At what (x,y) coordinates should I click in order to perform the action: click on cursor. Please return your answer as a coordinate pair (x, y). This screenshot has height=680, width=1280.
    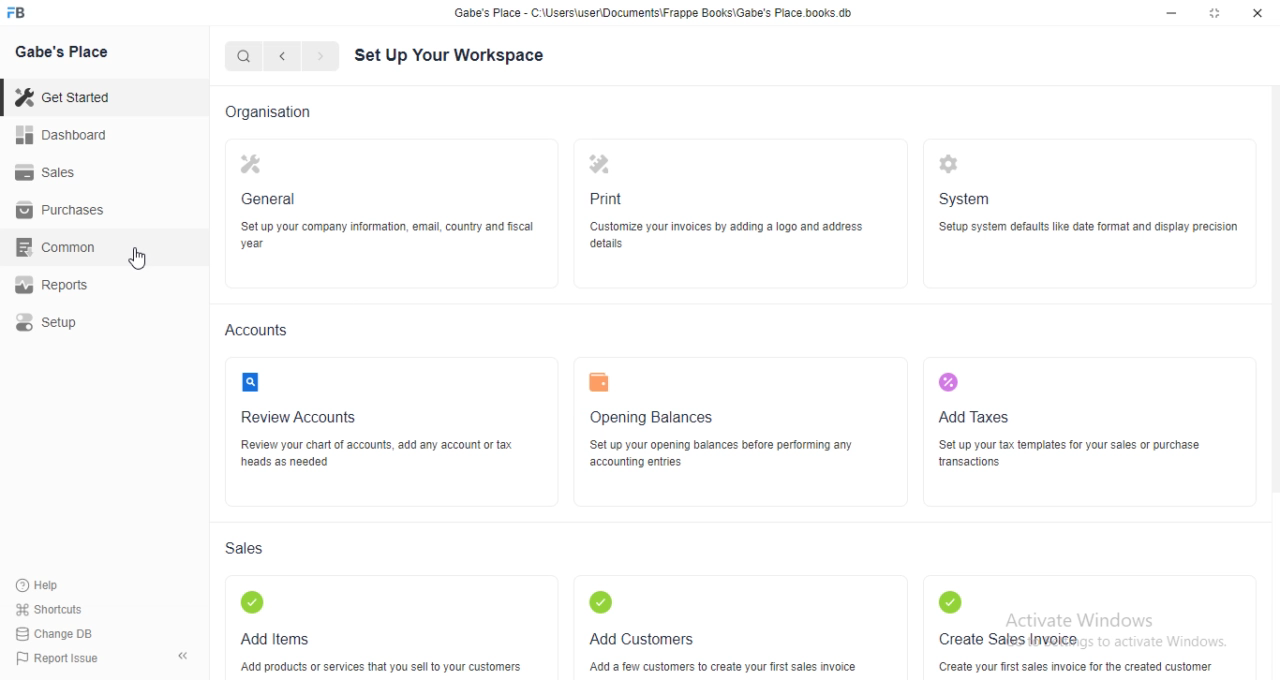
    Looking at the image, I should click on (137, 260).